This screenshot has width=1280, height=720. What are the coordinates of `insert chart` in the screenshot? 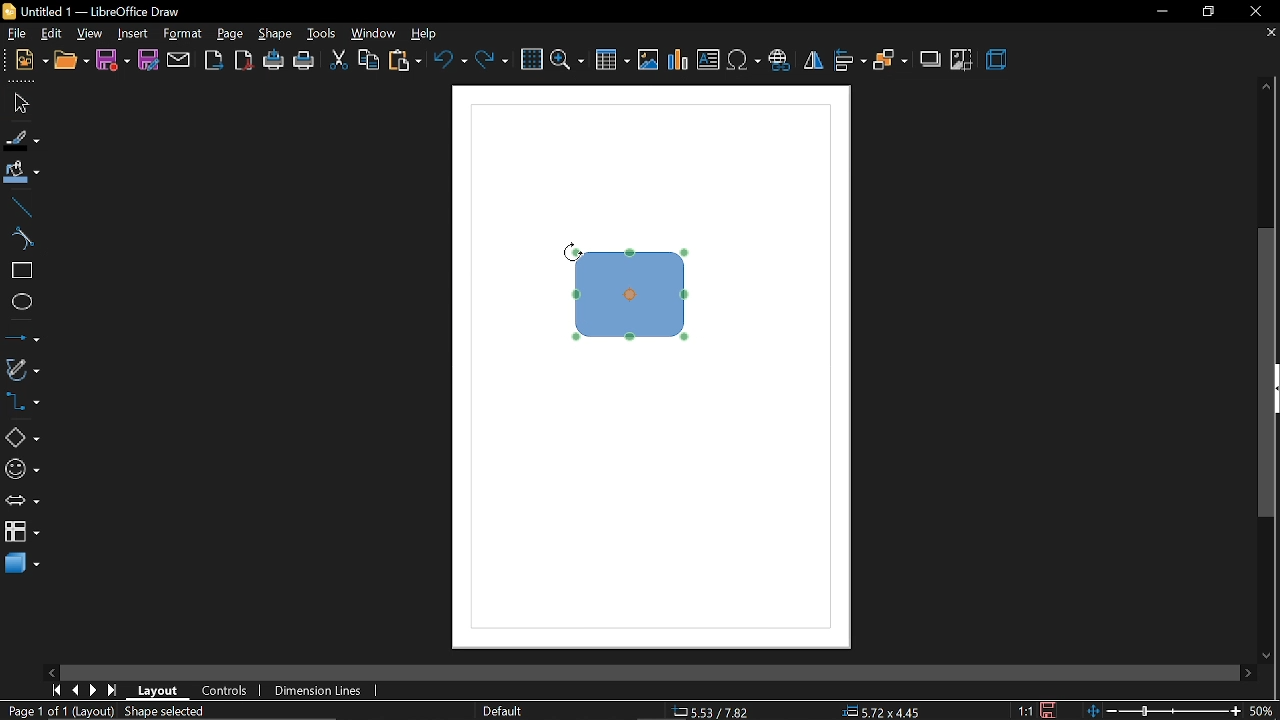 It's located at (676, 60).